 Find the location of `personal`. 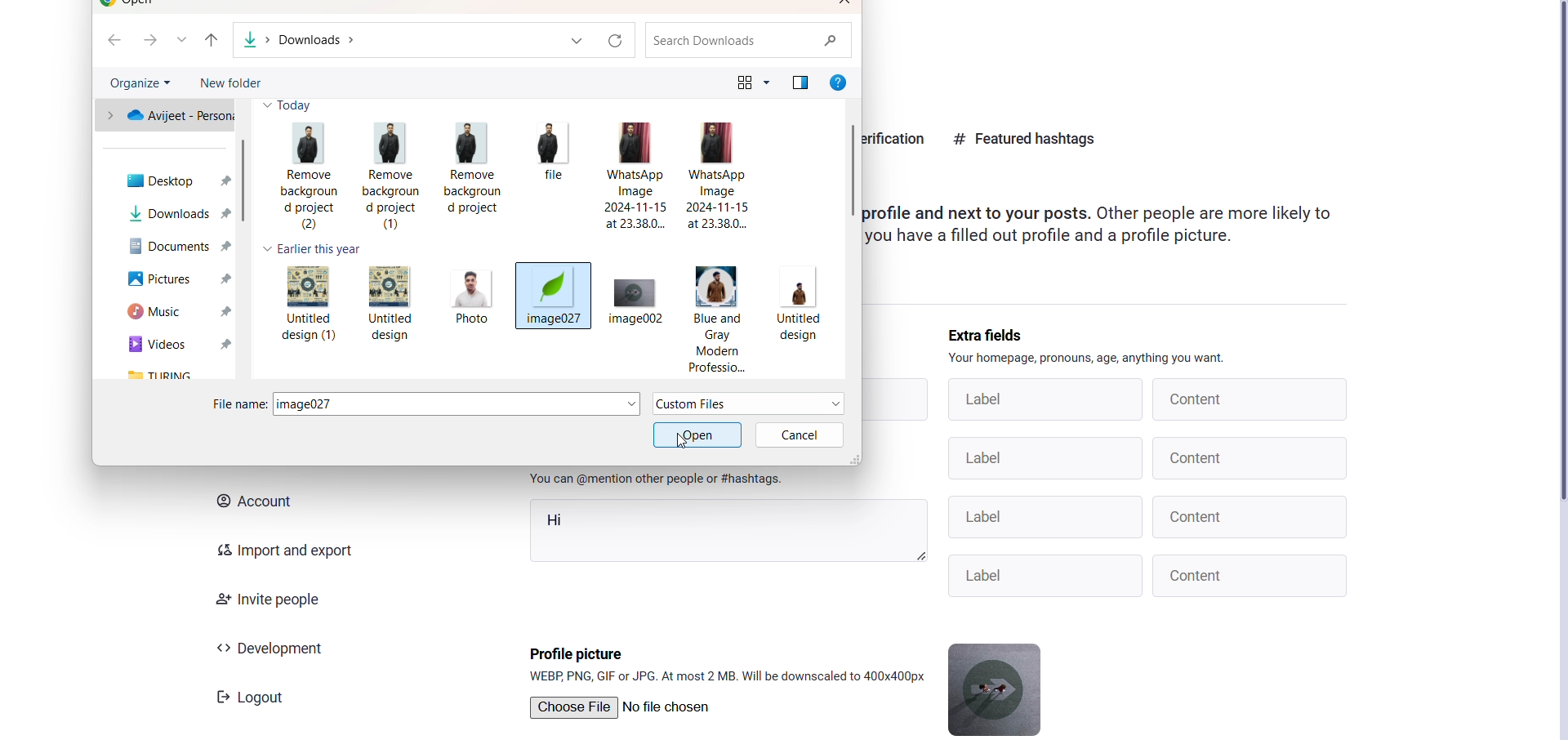

personal is located at coordinates (166, 116).